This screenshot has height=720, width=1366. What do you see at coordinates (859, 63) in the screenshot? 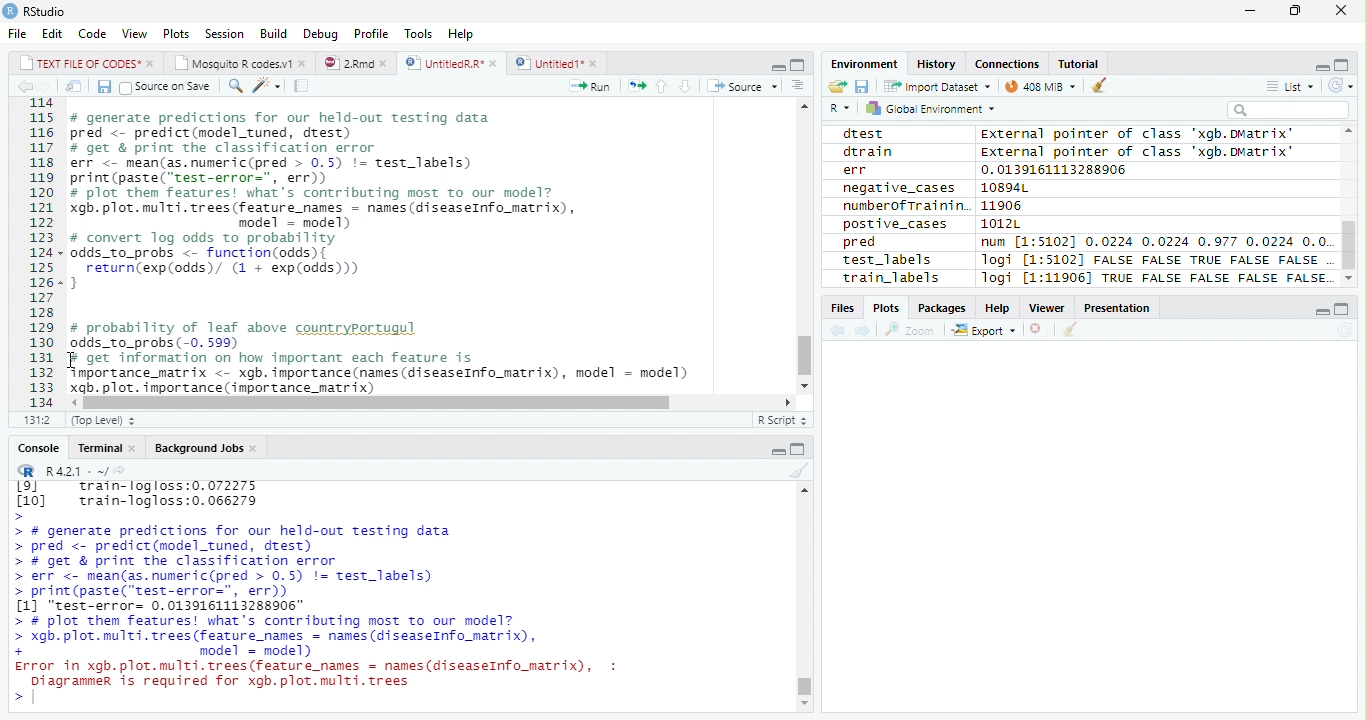
I see `Environment` at bounding box center [859, 63].